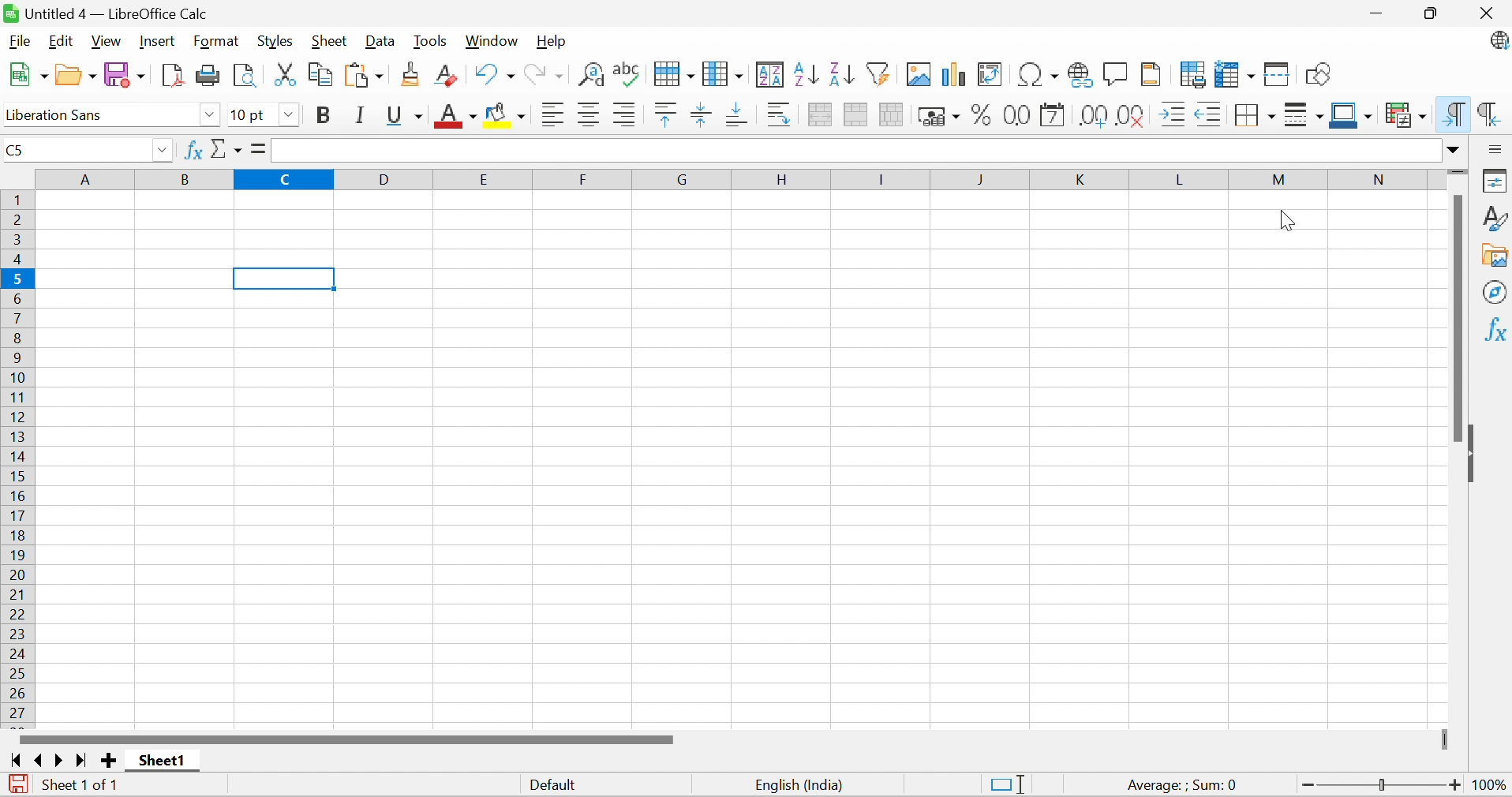 This screenshot has width=1512, height=797. What do you see at coordinates (699, 114) in the screenshot?
I see `Center vertically` at bounding box center [699, 114].